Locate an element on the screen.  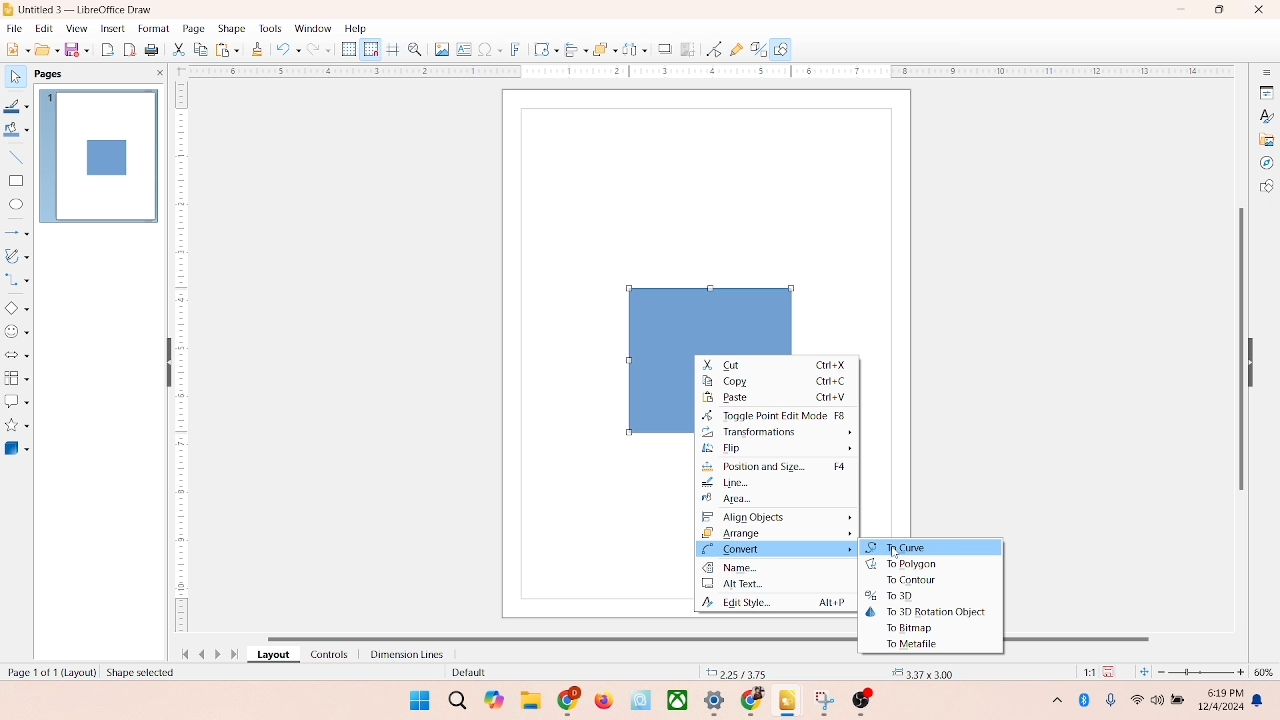
block arrow is located at coordinates (17, 356).